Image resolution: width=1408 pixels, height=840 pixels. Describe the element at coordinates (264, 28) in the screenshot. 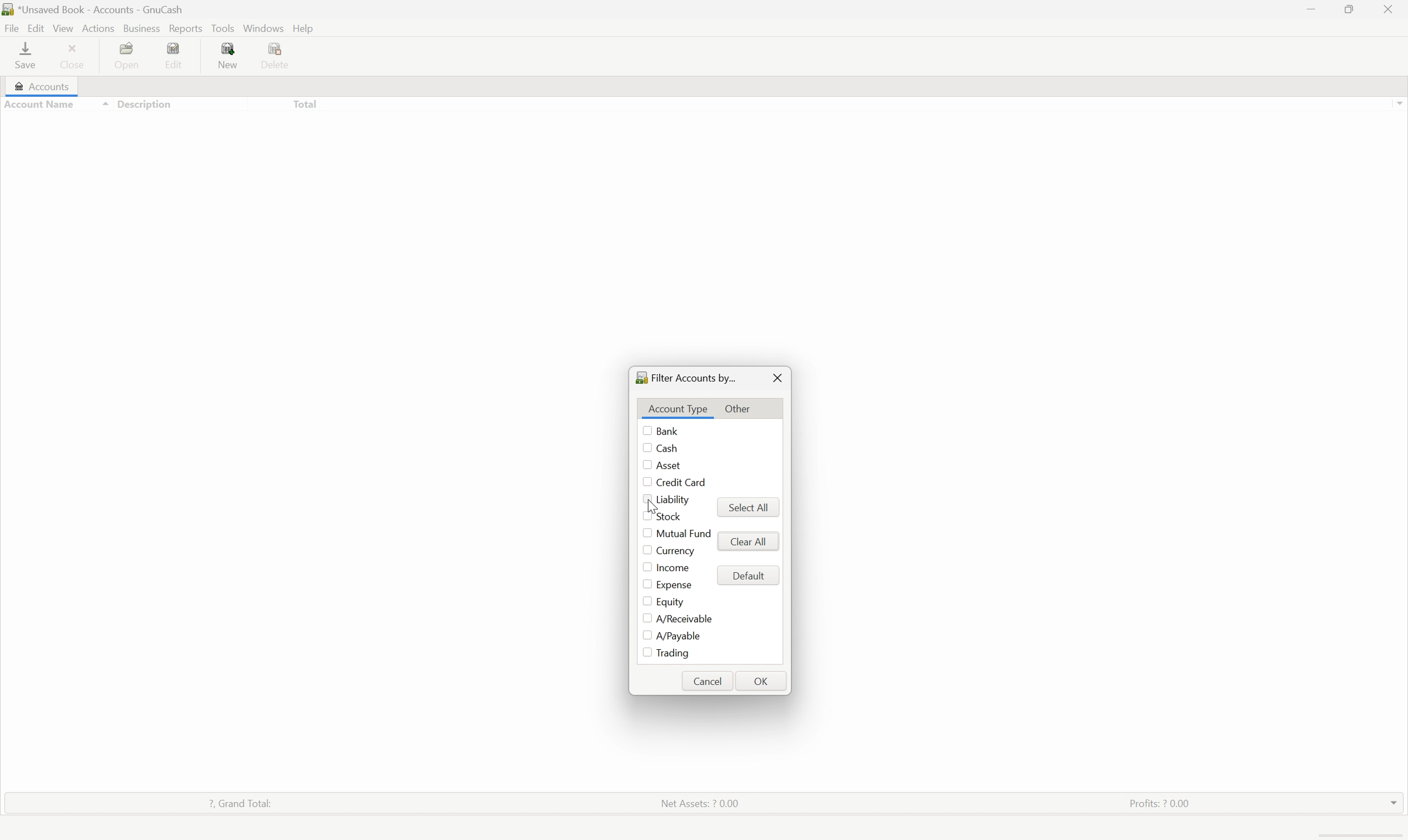

I see `Windows` at that location.